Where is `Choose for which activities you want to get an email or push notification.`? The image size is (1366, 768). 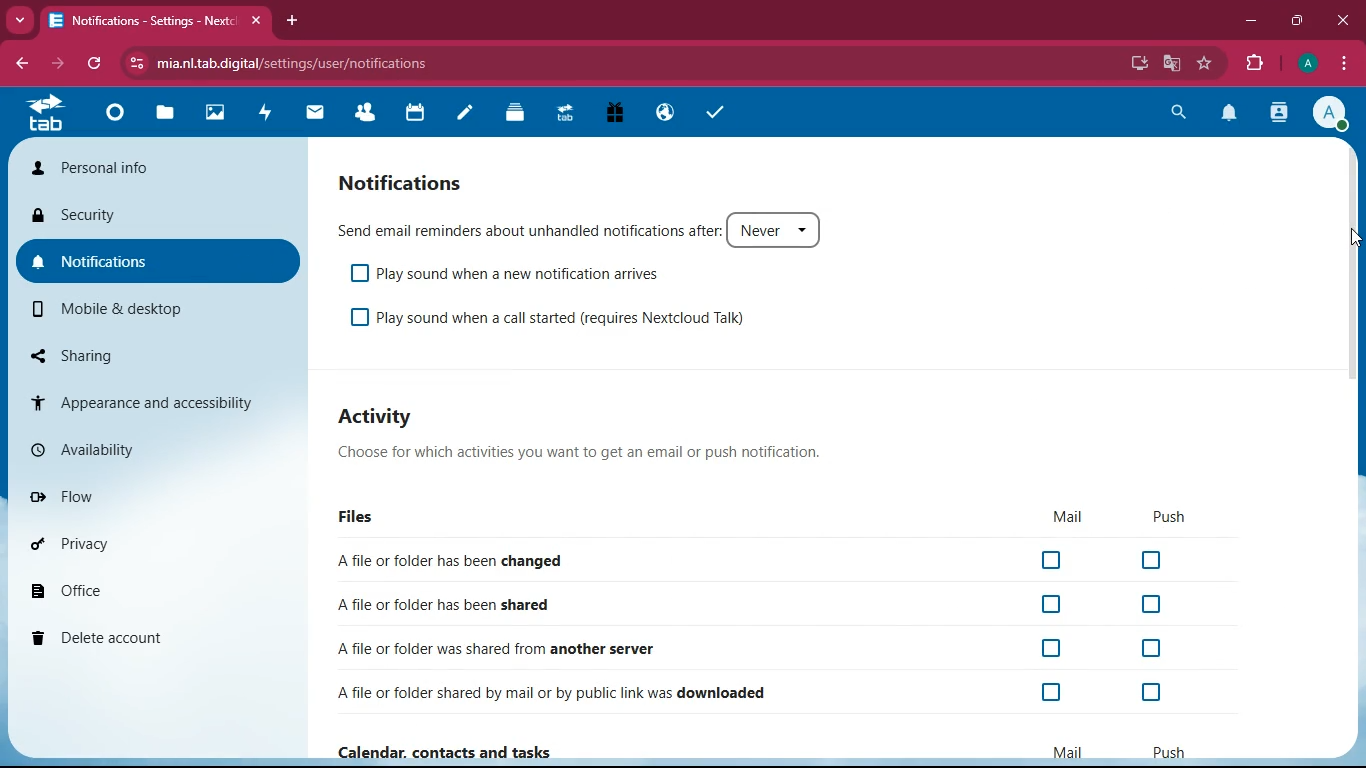
Choose for which activities you want to get an email or push notification. is located at coordinates (601, 453).